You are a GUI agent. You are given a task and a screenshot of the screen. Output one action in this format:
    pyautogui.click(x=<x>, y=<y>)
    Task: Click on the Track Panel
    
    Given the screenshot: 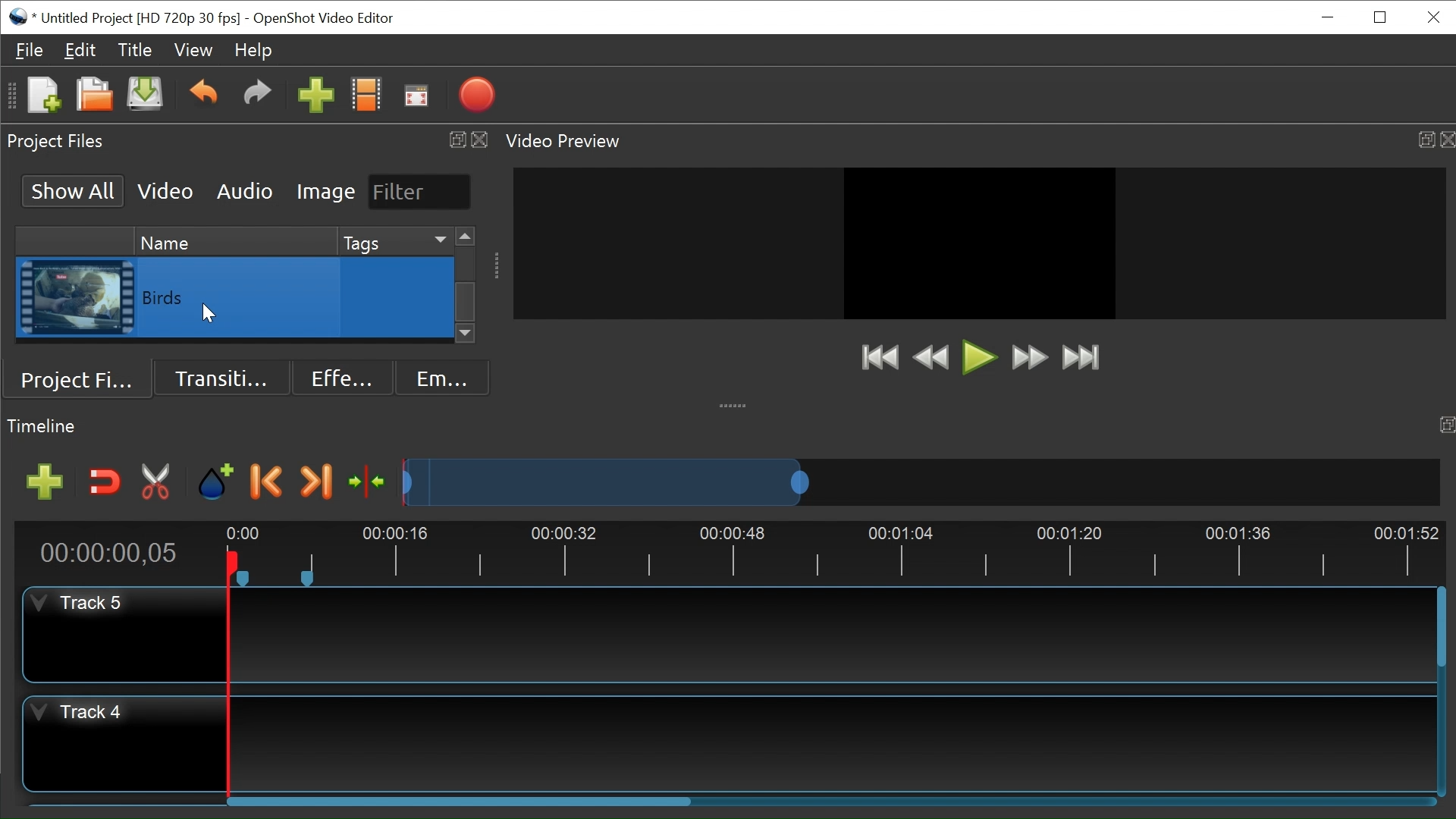 What is the action you would take?
    pyautogui.click(x=833, y=741)
    